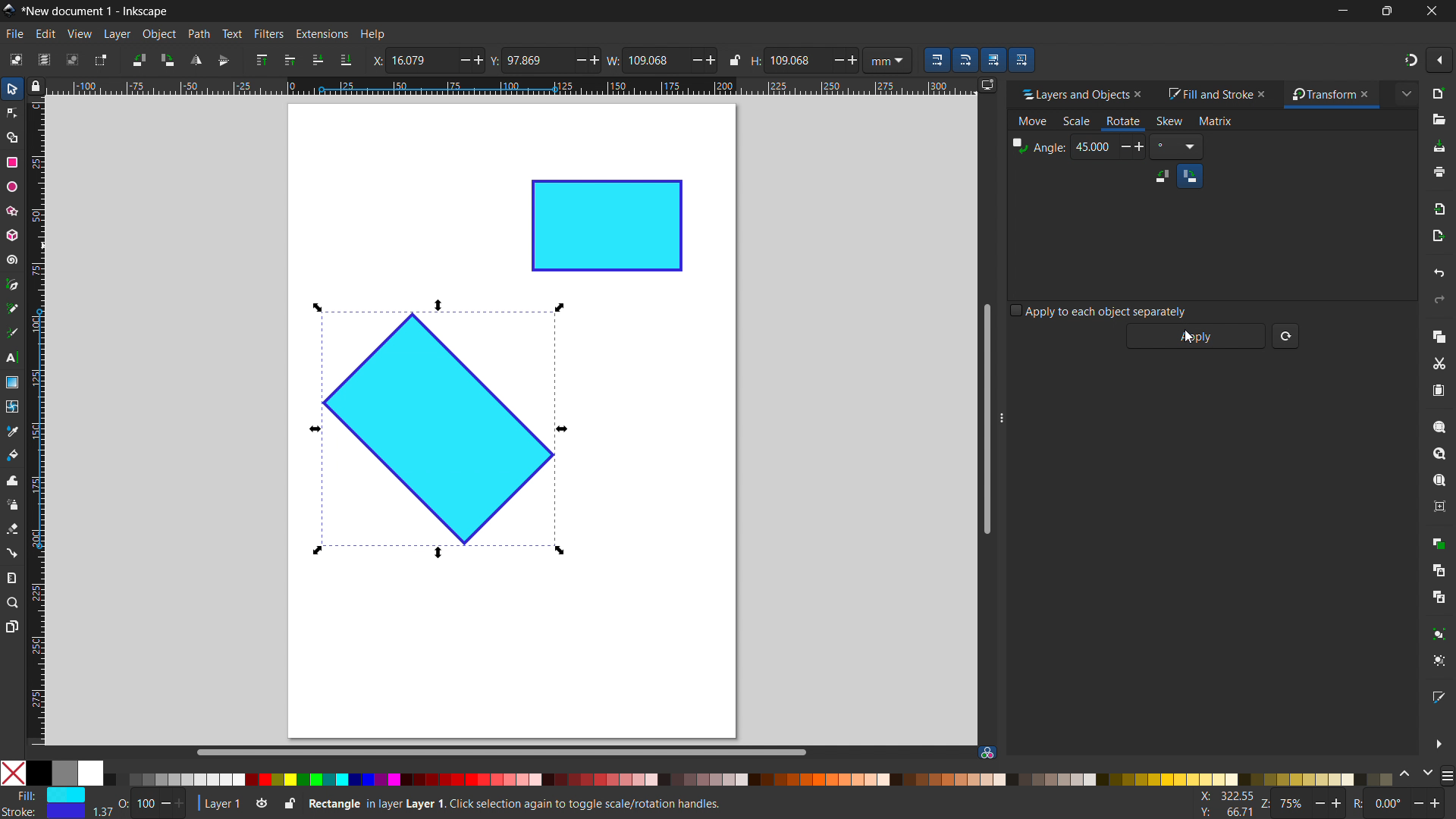  I want to click on toggle lock of all guuides in the document, so click(36, 86).